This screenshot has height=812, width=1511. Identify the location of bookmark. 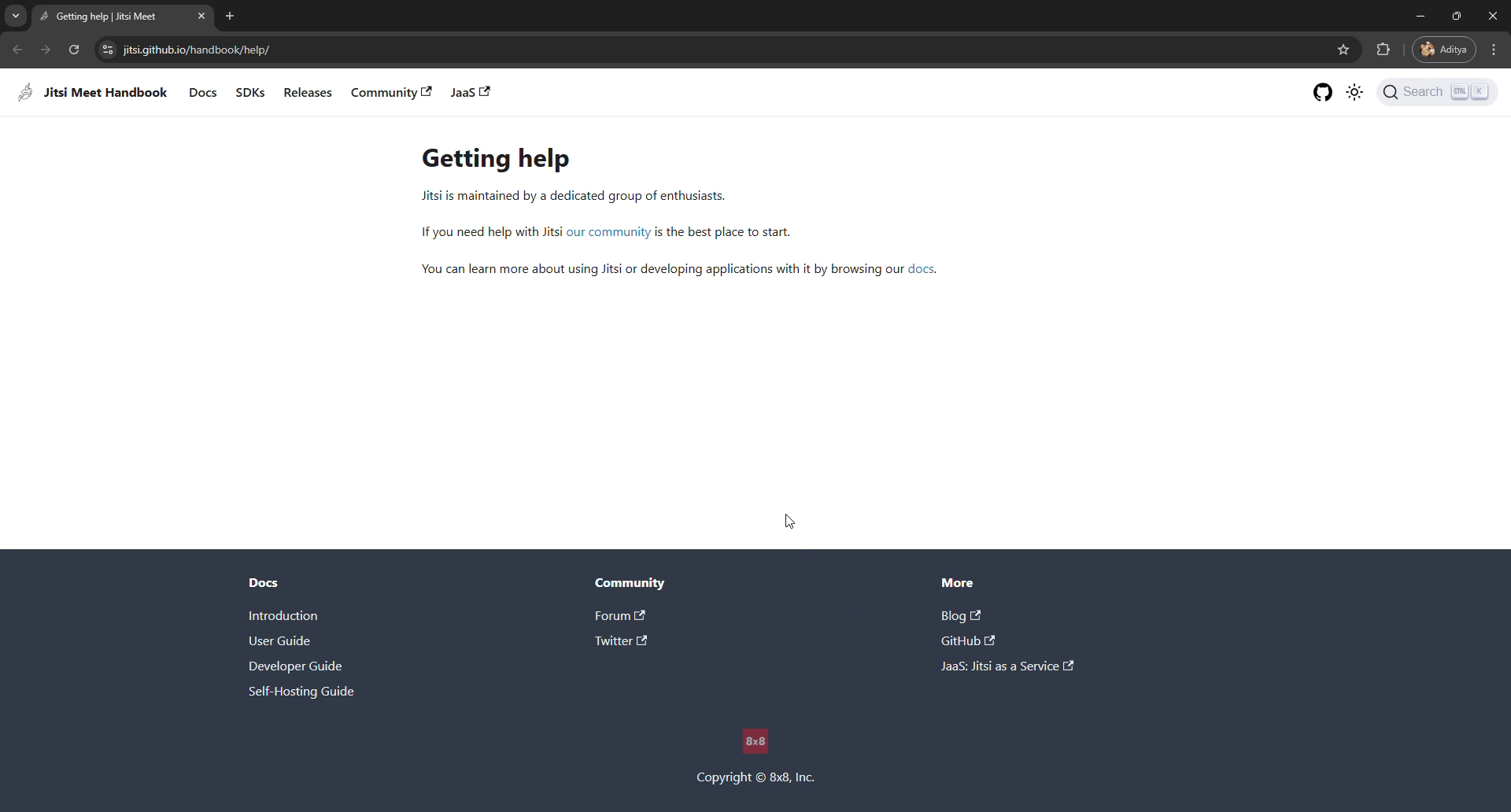
(1340, 49).